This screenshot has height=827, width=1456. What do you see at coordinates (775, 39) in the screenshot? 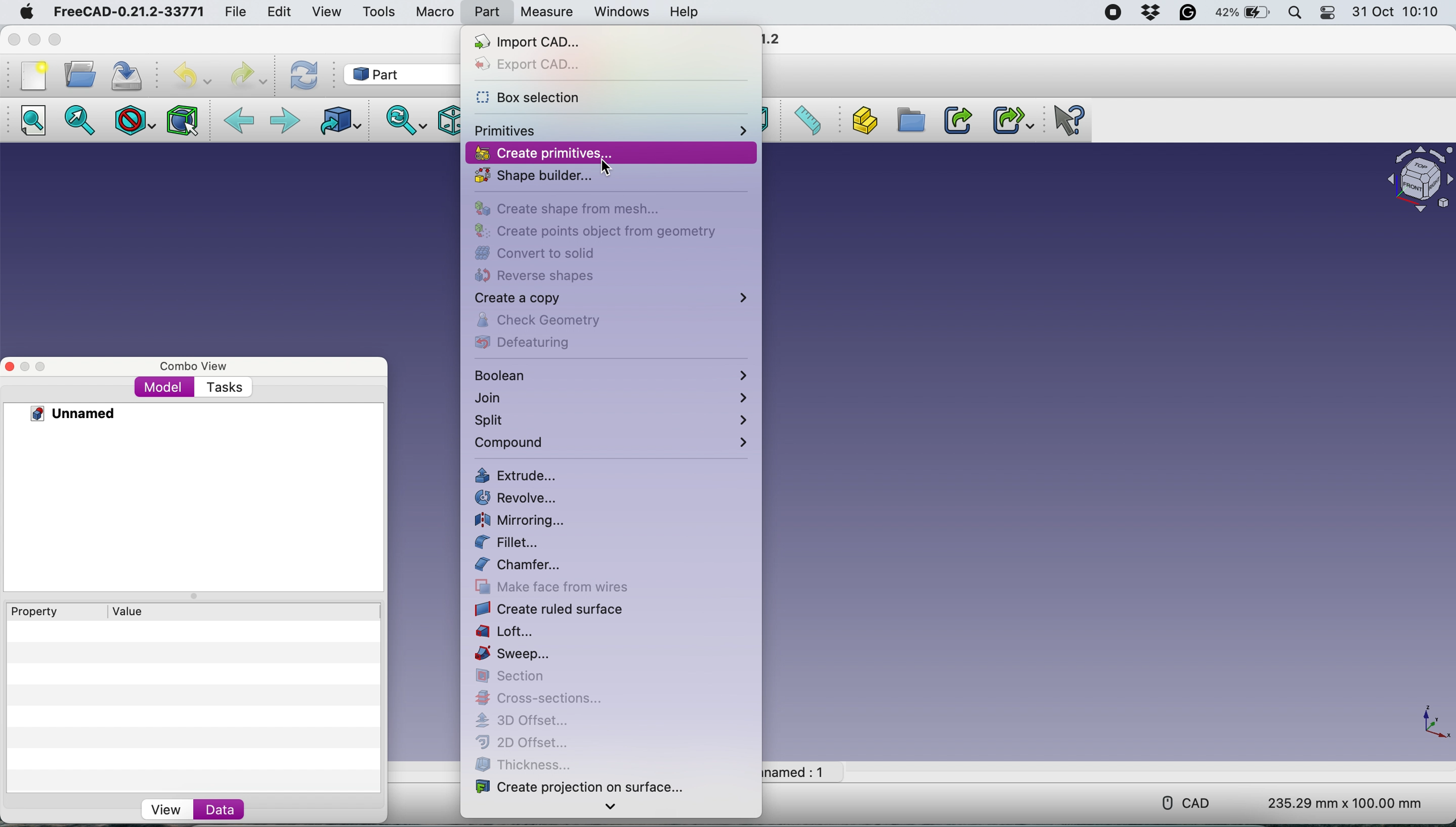
I see `FreeCAD 0.21.2` at bounding box center [775, 39].